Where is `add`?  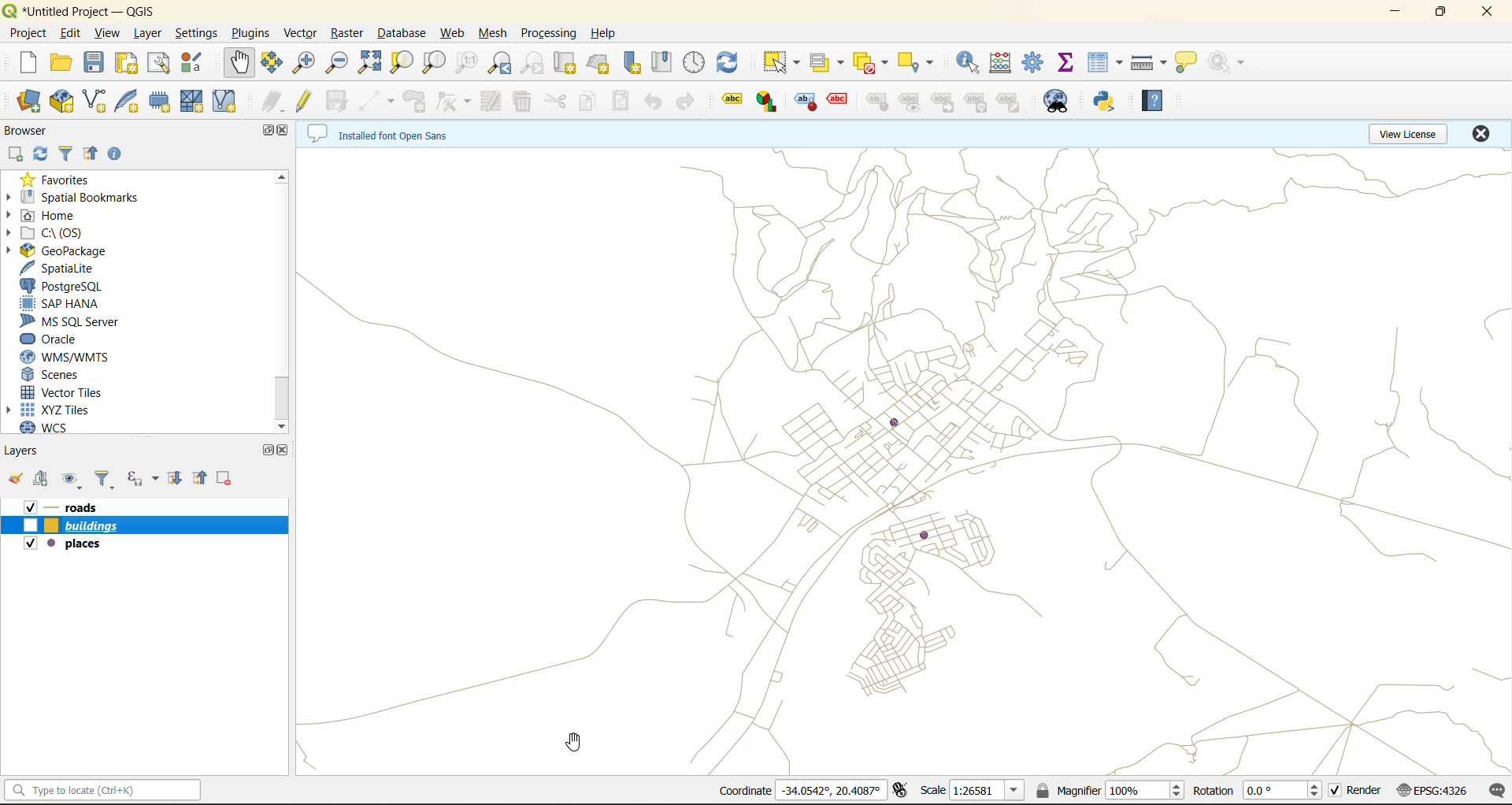 add is located at coordinates (46, 480).